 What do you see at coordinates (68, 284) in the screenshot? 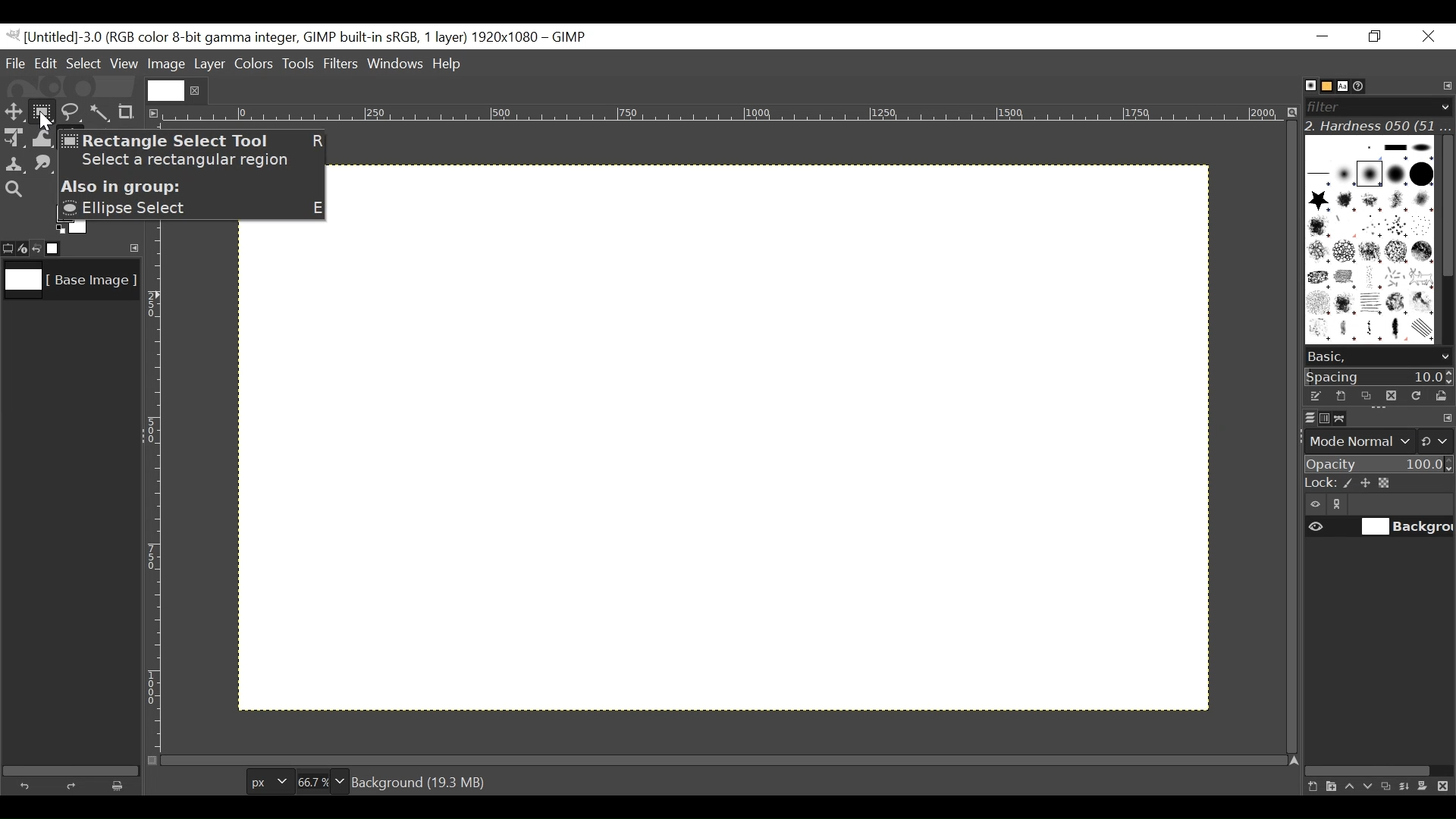
I see `Image` at bounding box center [68, 284].